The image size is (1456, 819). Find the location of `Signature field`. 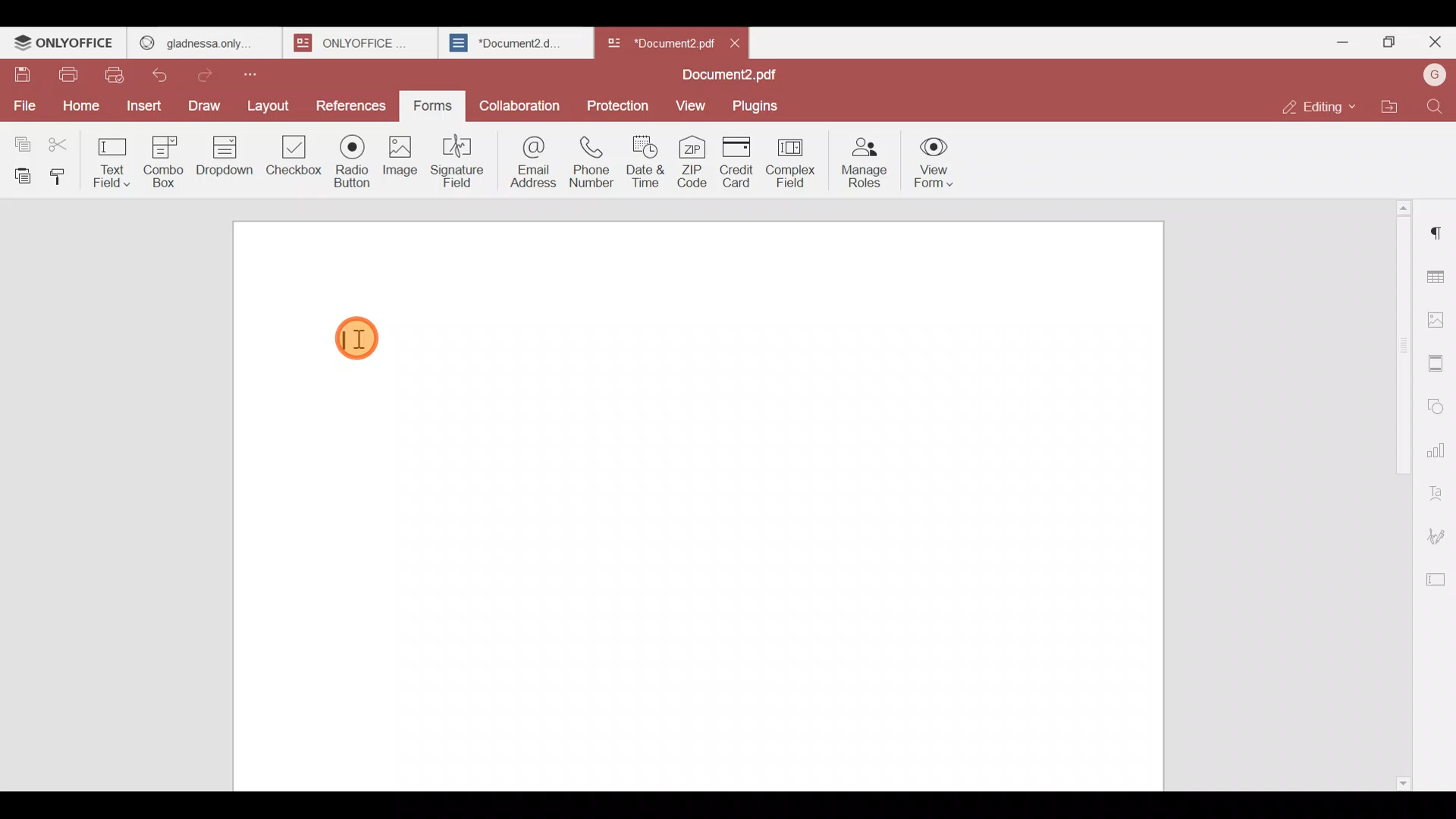

Signature field is located at coordinates (461, 160).